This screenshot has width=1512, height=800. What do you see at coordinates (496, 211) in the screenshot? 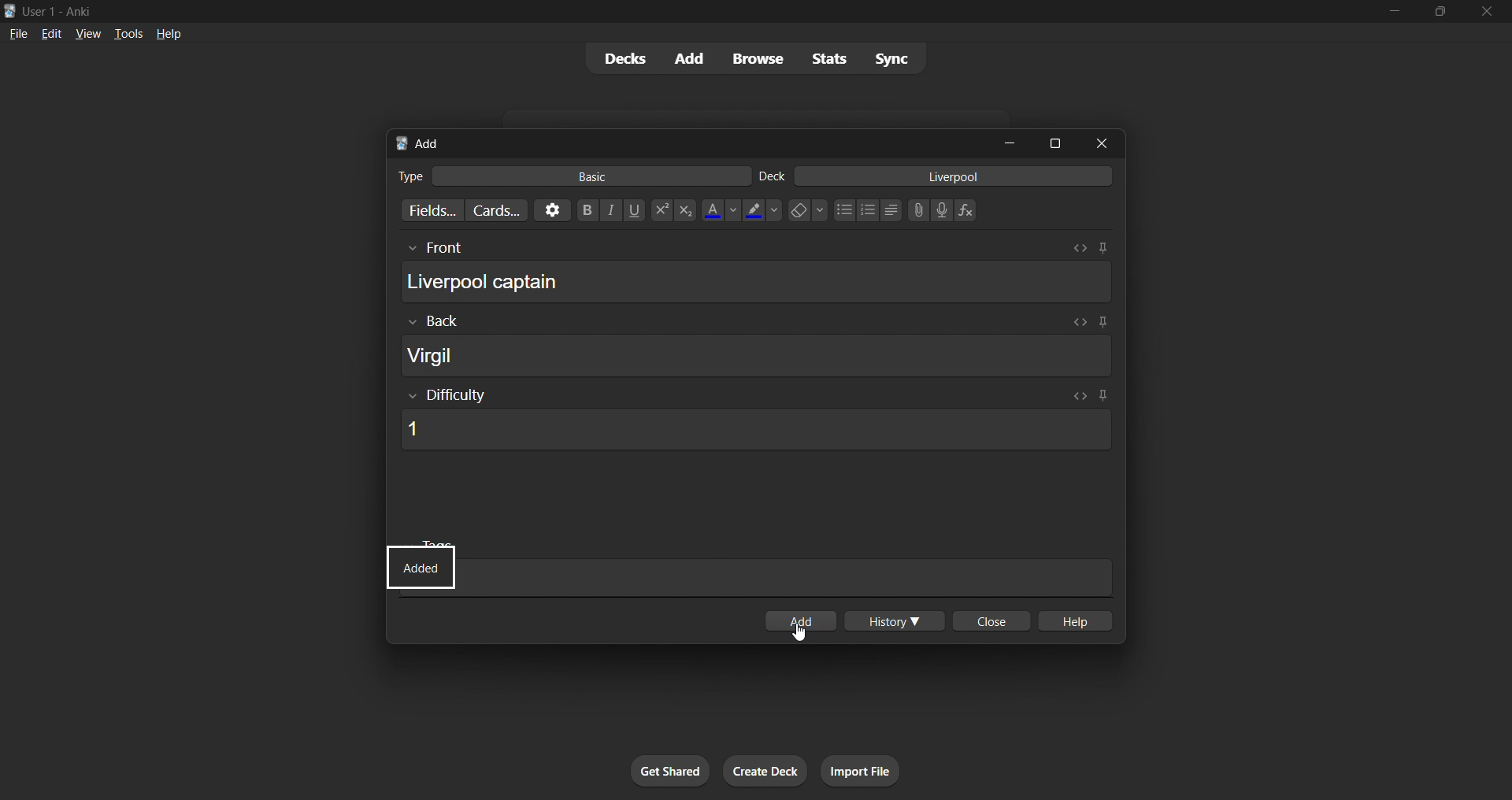
I see `customize card templates` at bounding box center [496, 211].